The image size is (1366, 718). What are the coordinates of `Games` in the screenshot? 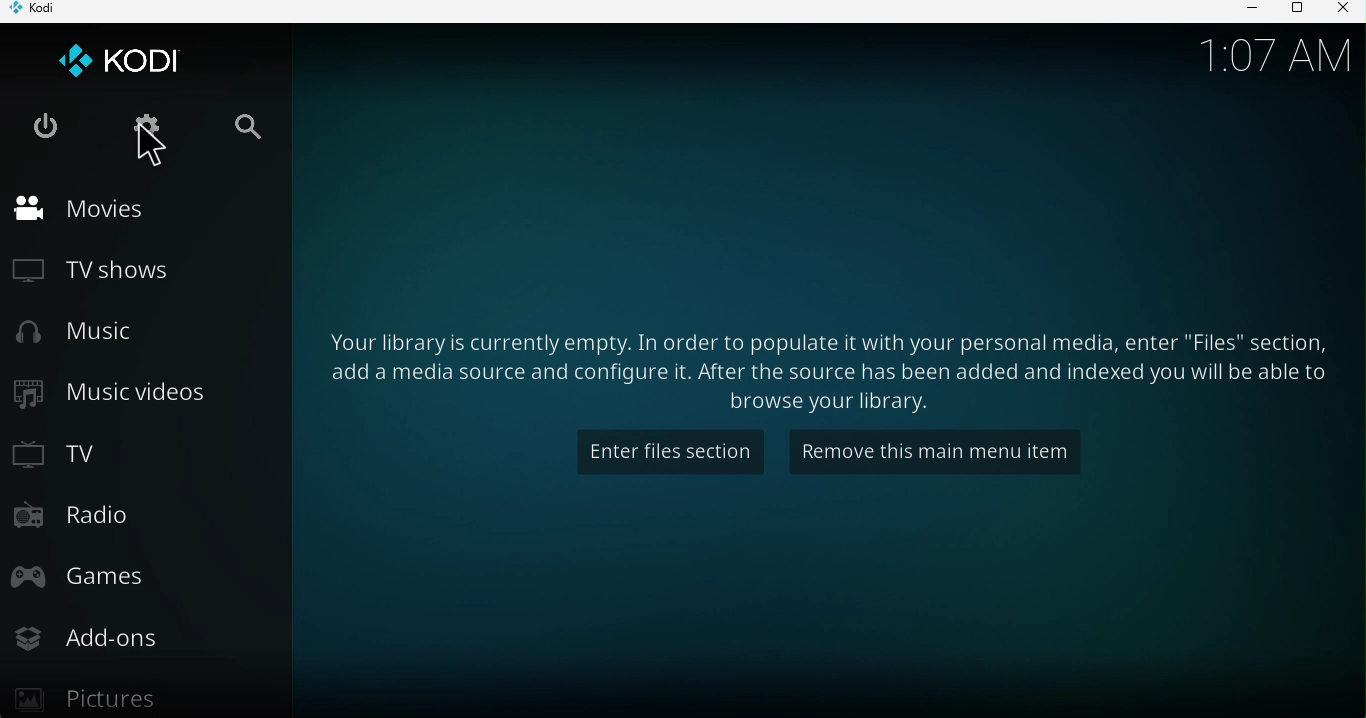 It's located at (104, 584).